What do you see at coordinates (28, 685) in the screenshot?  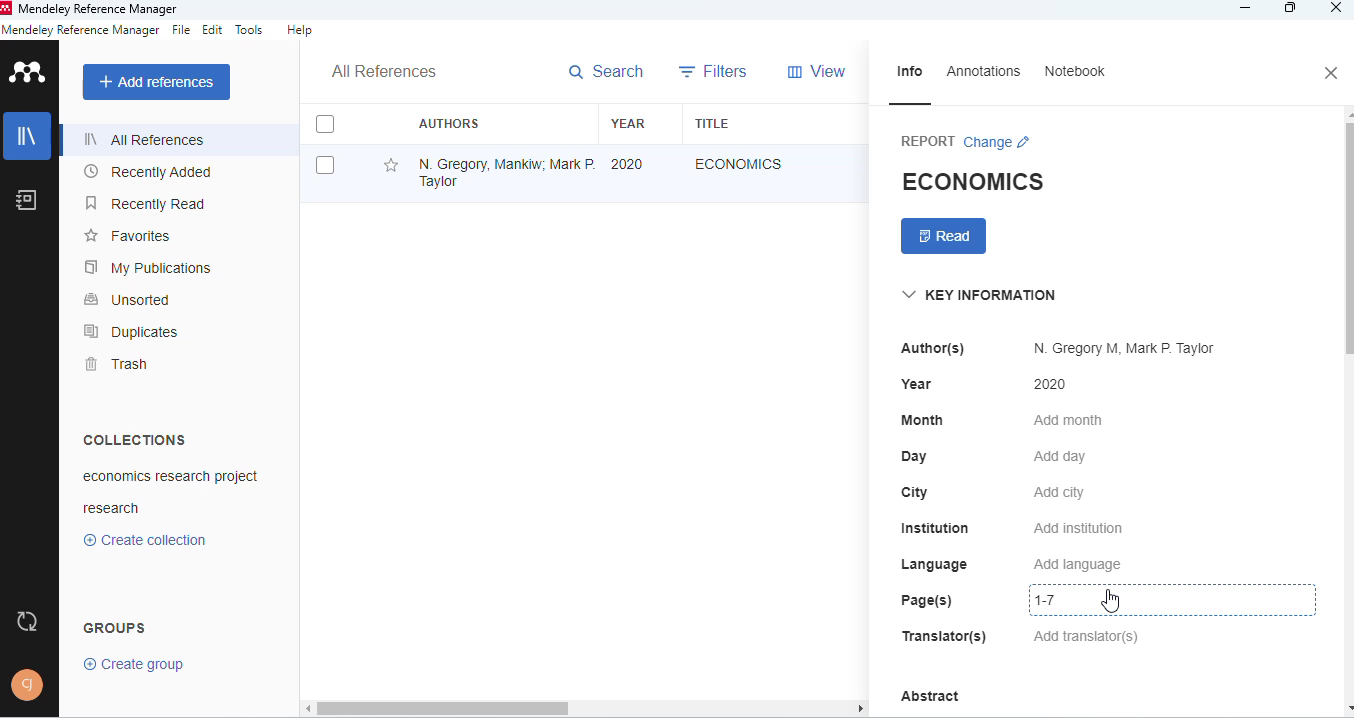 I see `profile` at bounding box center [28, 685].